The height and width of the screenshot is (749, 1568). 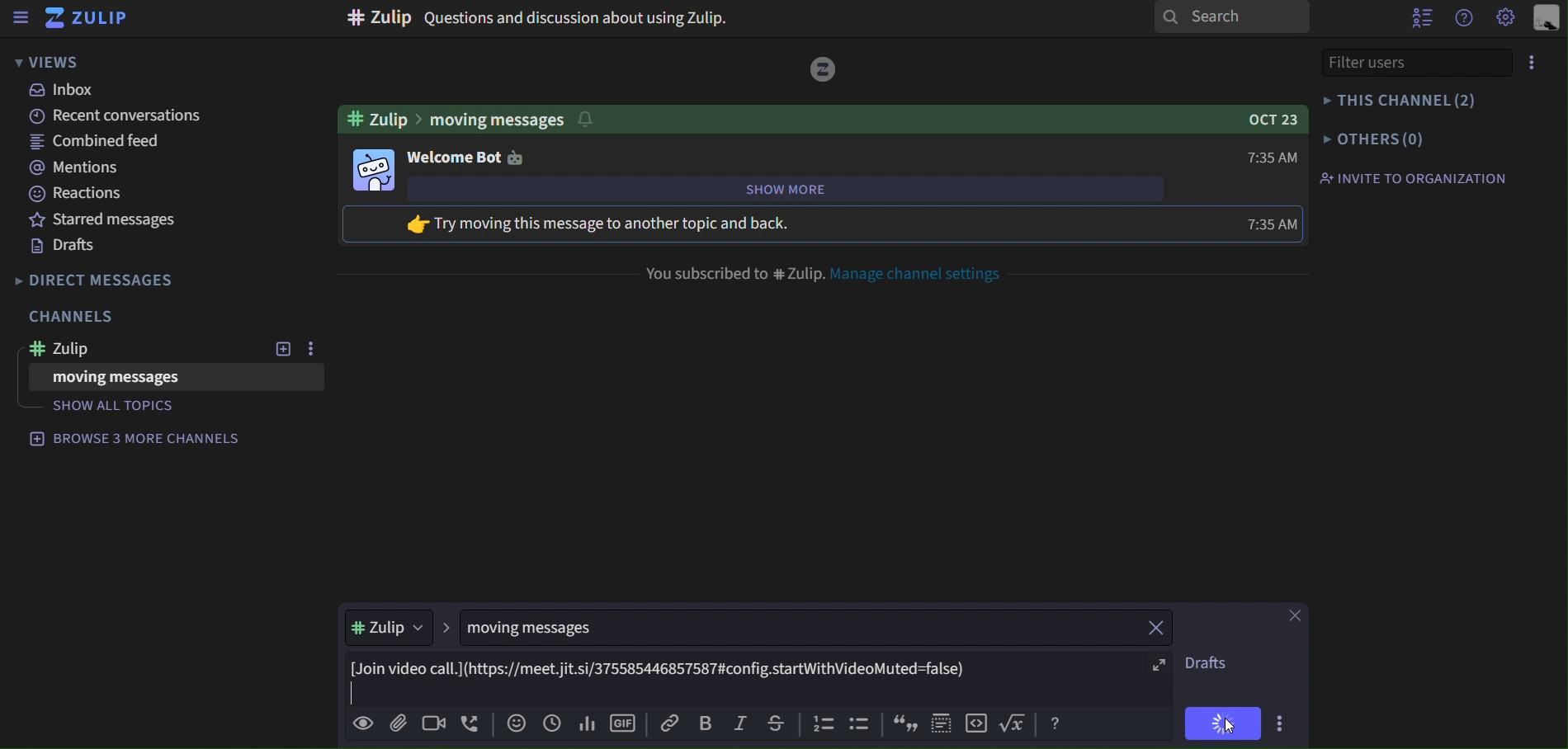 I want to click on cursor, so click(x=1225, y=724).